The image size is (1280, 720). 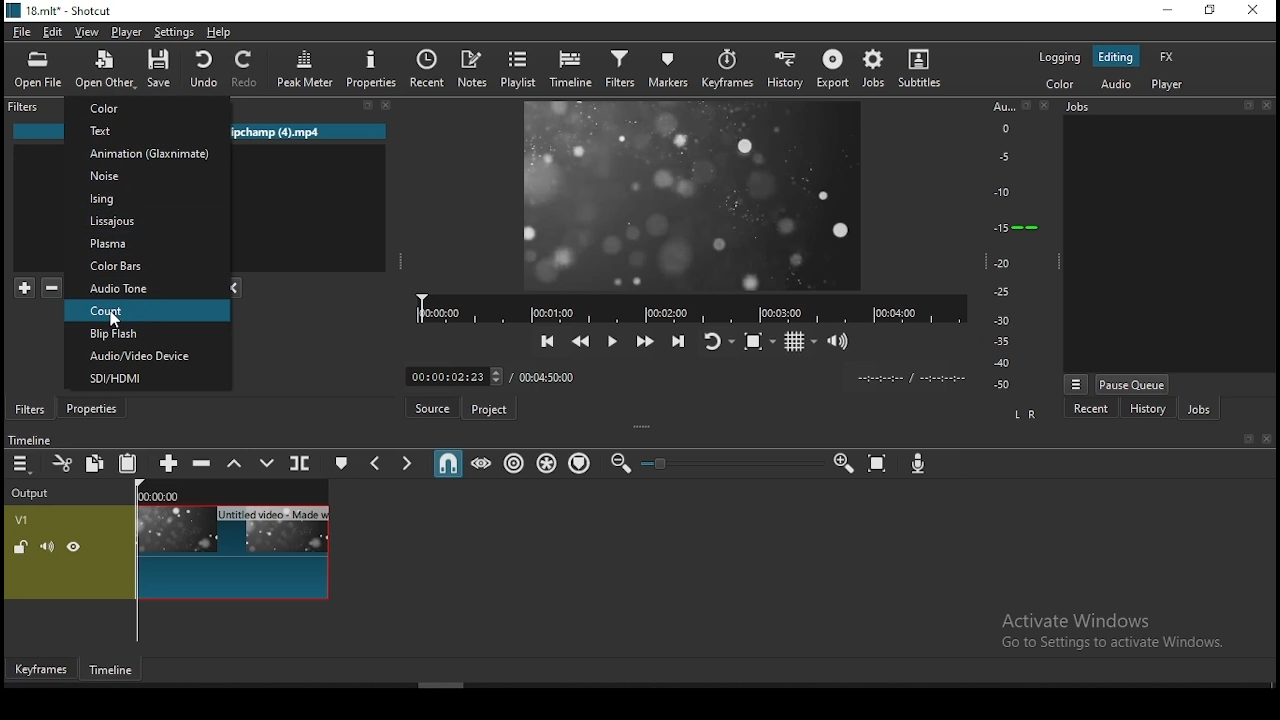 What do you see at coordinates (104, 67) in the screenshot?
I see `open other` at bounding box center [104, 67].